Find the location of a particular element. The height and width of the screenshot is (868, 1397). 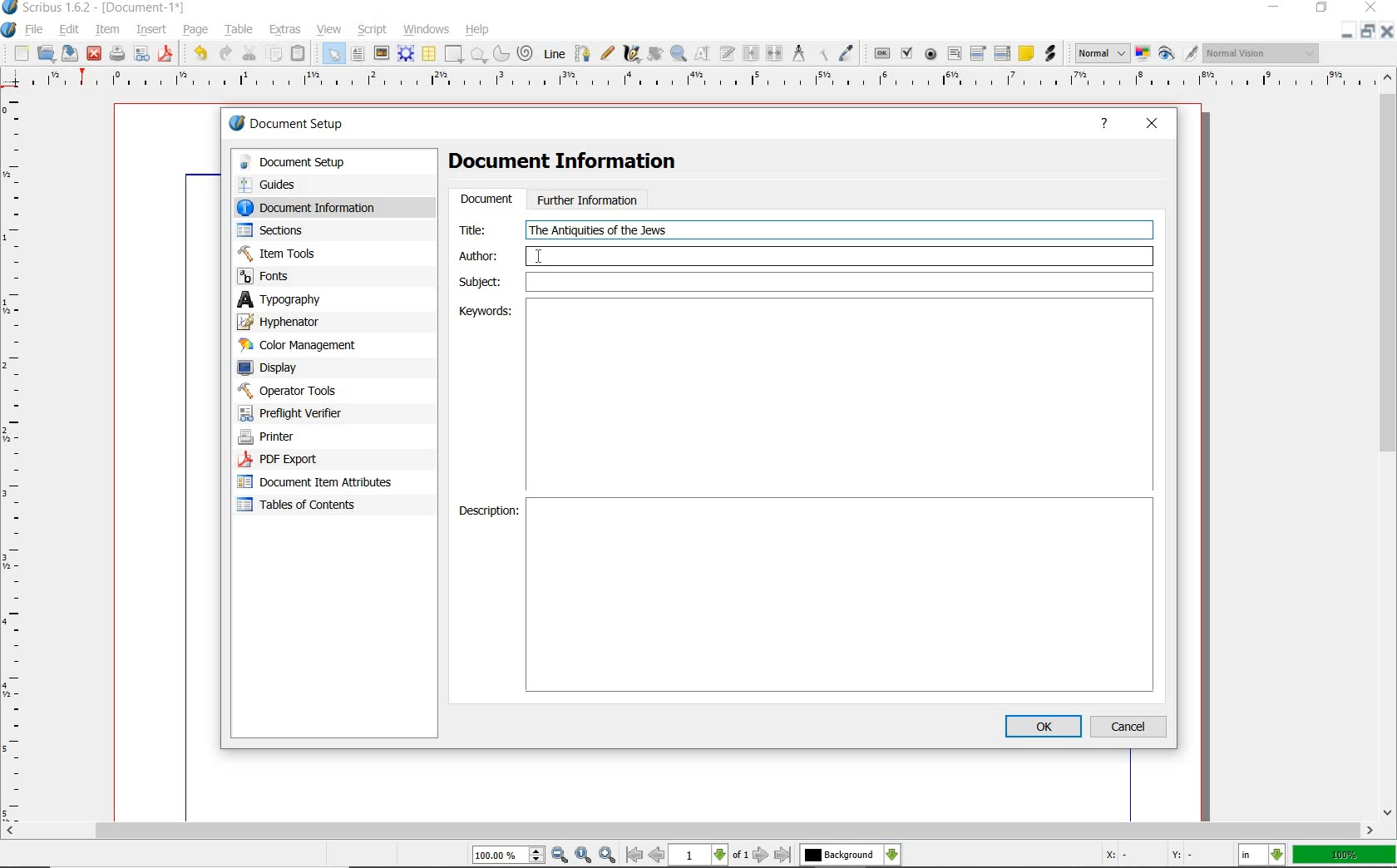

shape is located at coordinates (454, 53).